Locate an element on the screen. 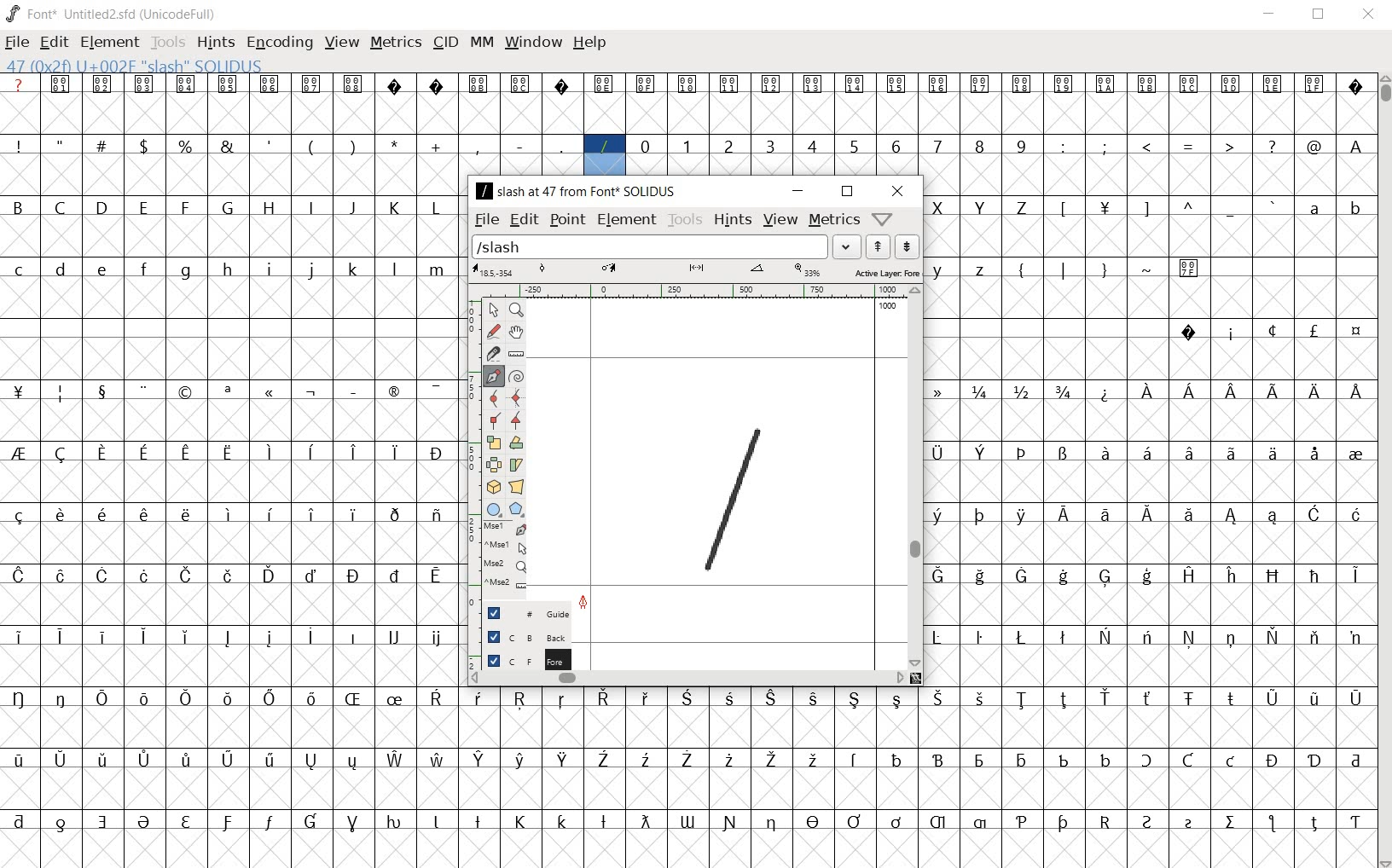 This screenshot has height=868, width=1392. polygon or star is located at coordinates (518, 510).